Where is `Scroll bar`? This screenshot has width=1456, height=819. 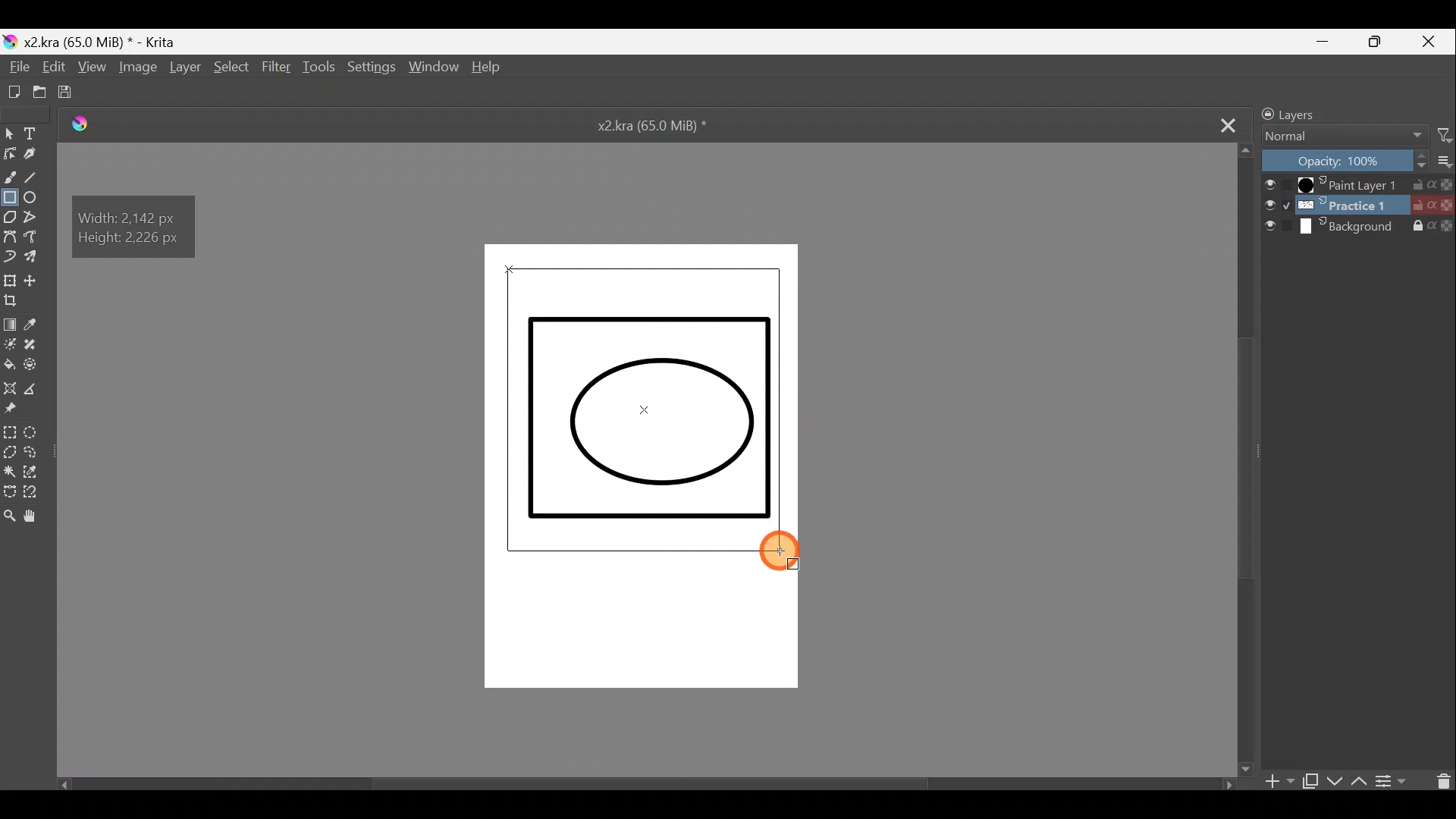 Scroll bar is located at coordinates (1246, 457).